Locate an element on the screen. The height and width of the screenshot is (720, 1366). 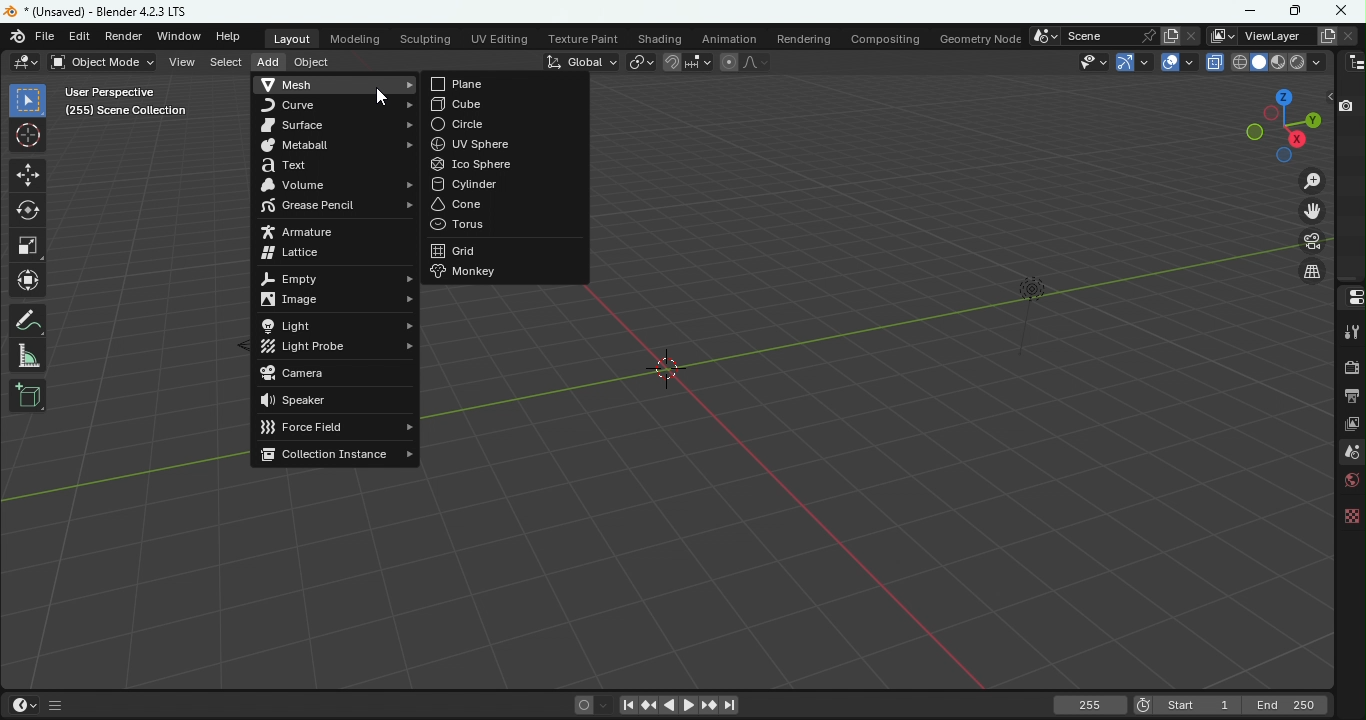
Auto keyframing is located at coordinates (603, 705).